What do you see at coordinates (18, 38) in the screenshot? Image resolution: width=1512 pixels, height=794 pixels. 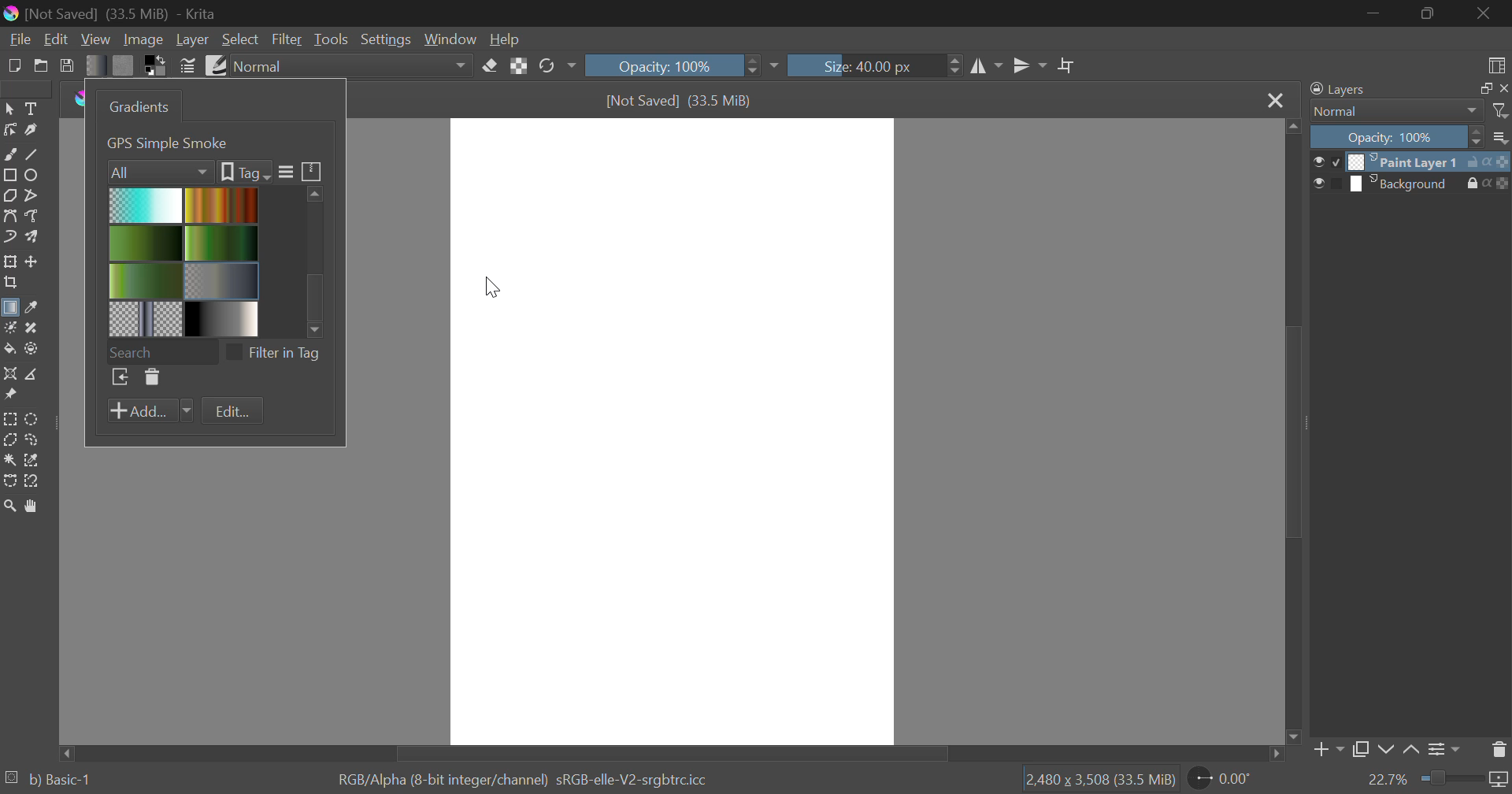 I see `File` at bounding box center [18, 38].